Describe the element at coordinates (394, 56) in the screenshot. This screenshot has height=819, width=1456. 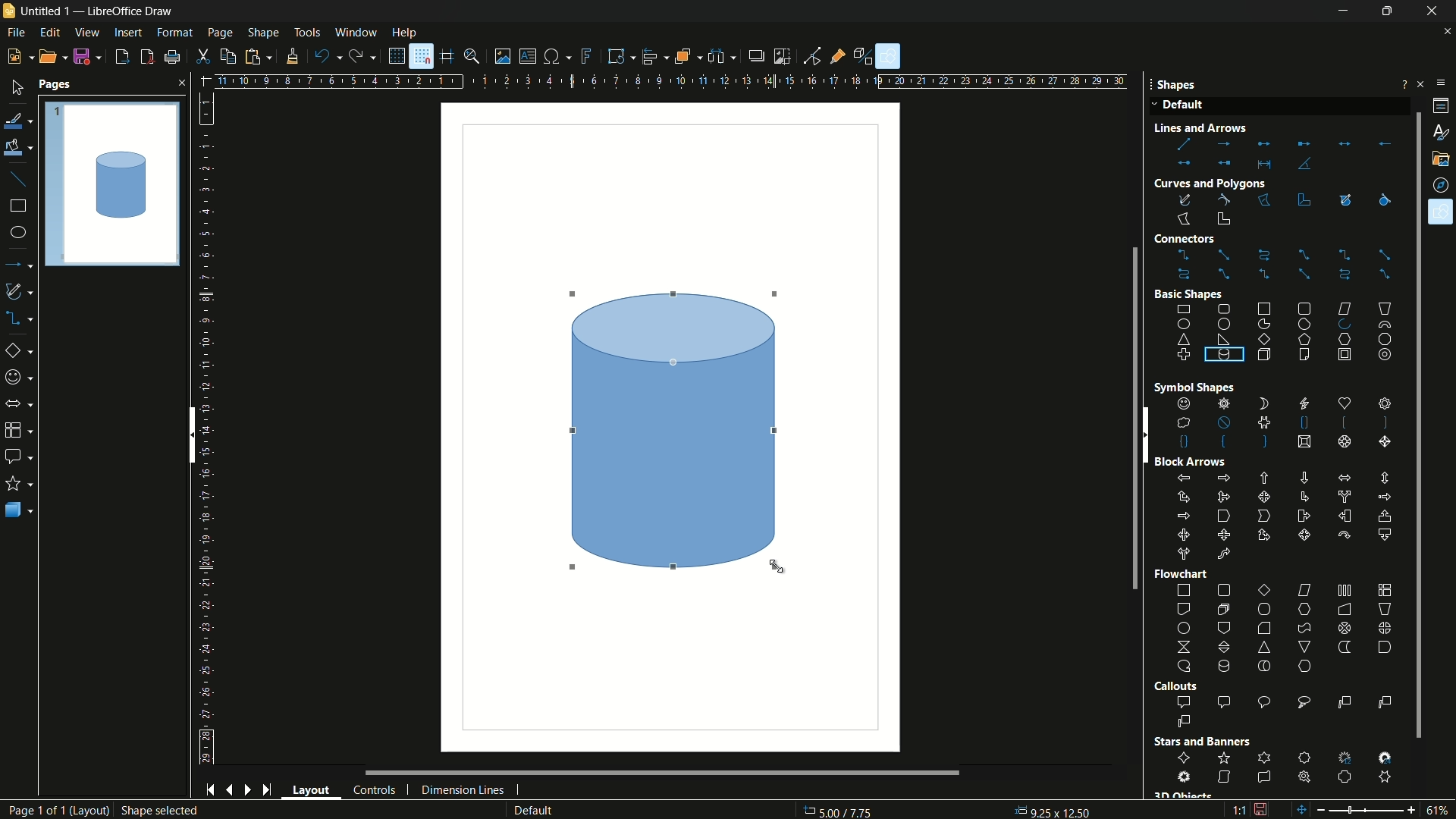
I see `display grid` at that location.